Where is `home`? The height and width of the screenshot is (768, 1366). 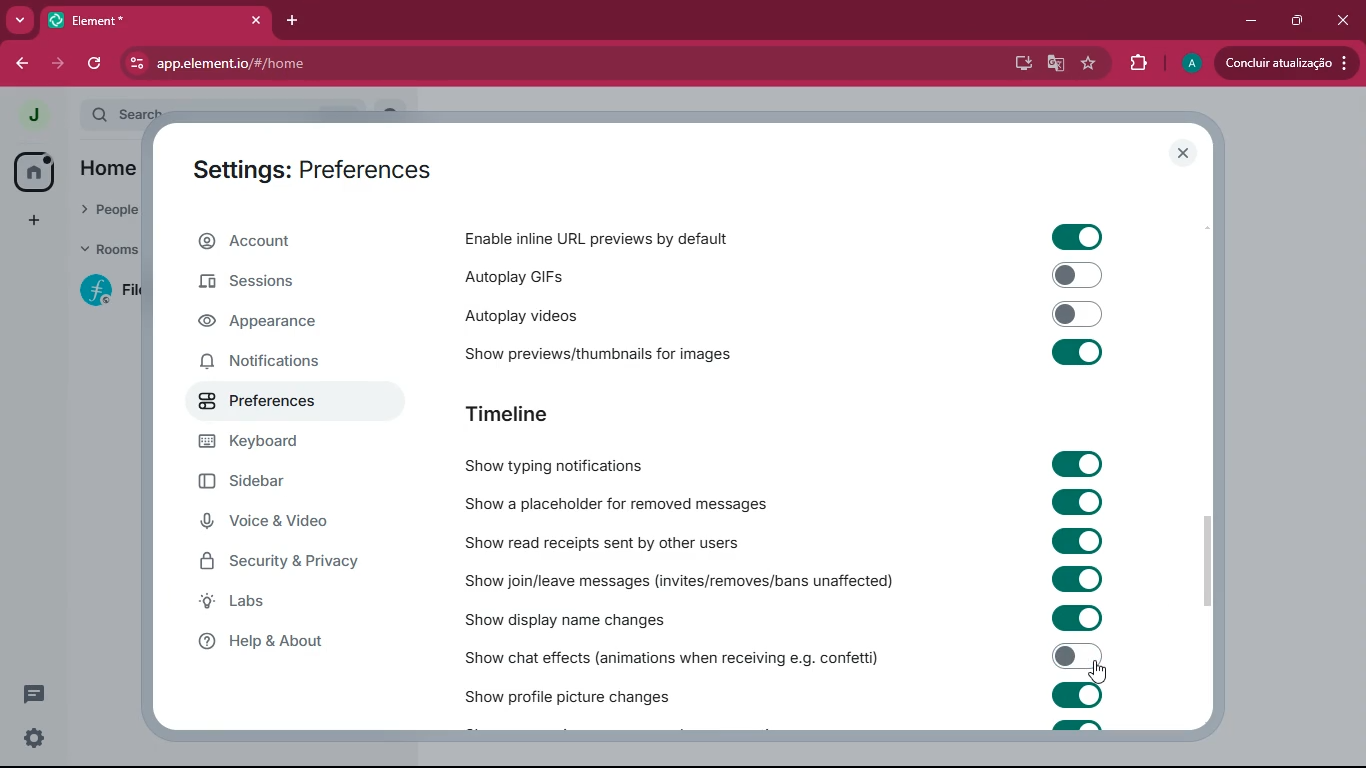
home is located at coordinates (36, 173).